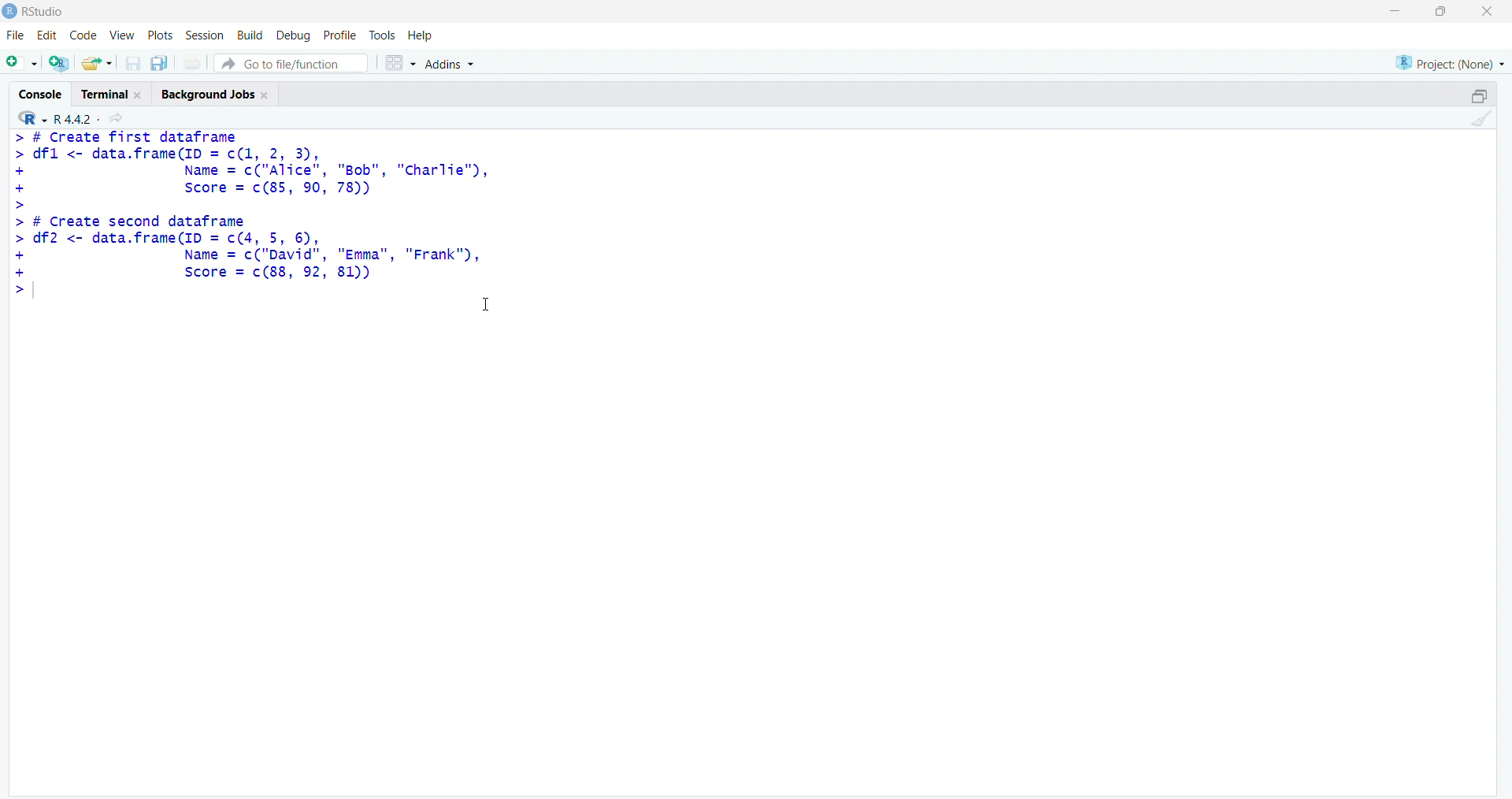 Image resolution: width=1512 pixels, height=799 pixels. I want to click on Debug, so click(295, 35).